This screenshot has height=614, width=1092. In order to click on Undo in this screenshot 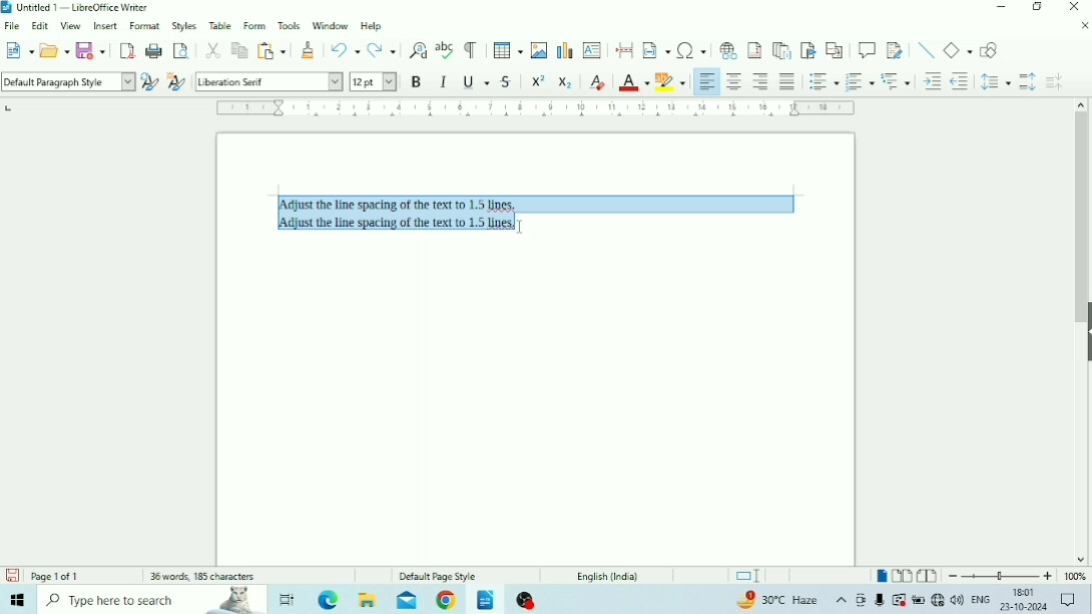, I will do `click(345, 49)`.